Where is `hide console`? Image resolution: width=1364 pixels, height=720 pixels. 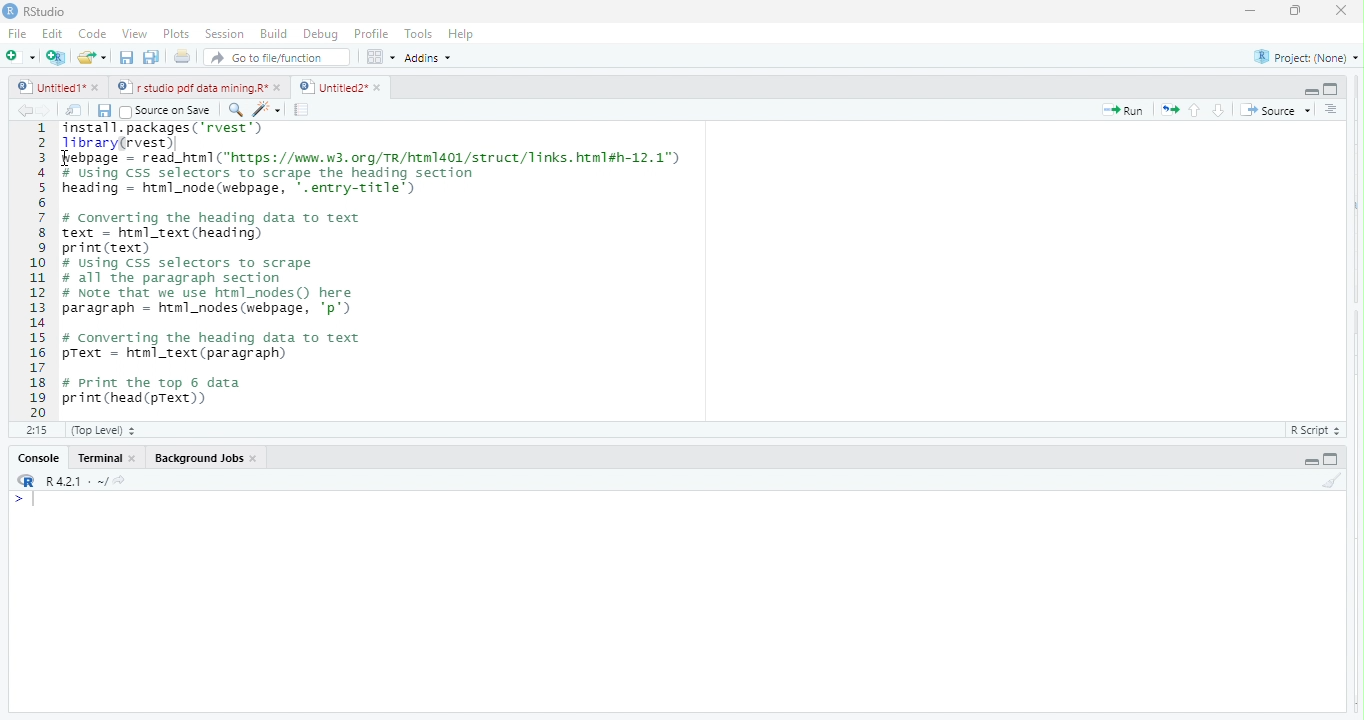 hide console is located at coordinates (1331, 87).